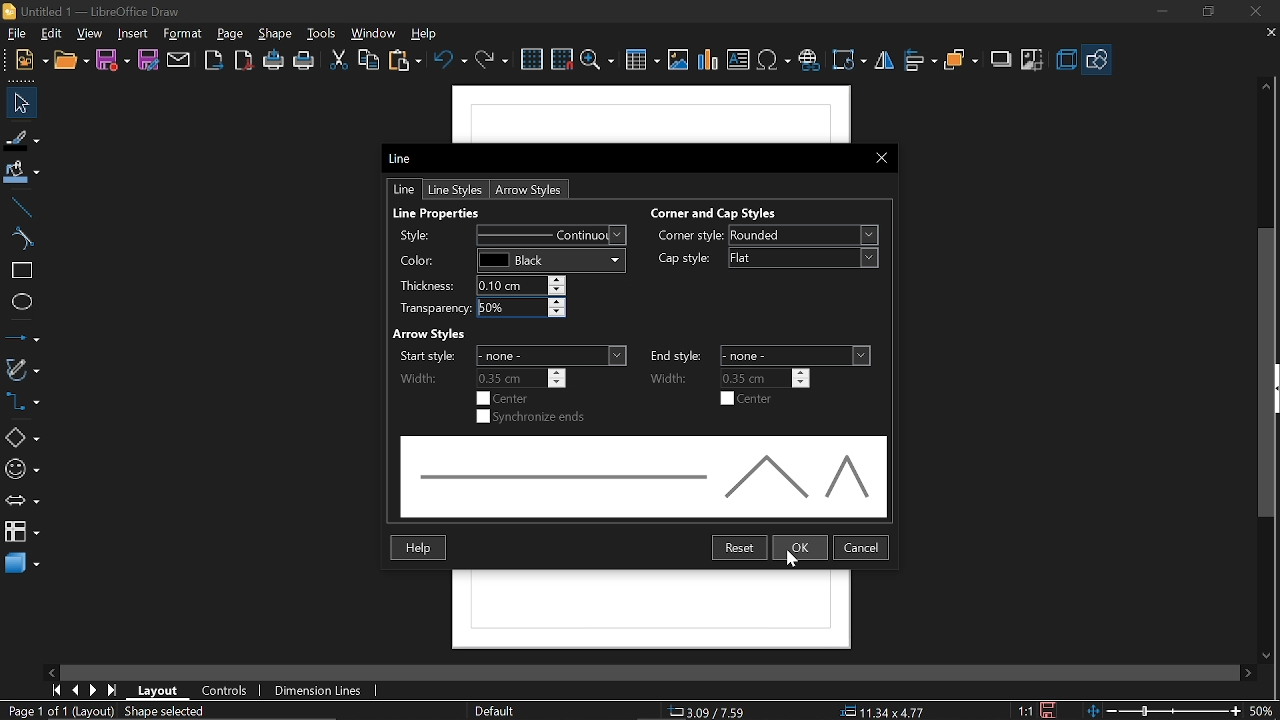  I want to click on Cancel, so click(862, 547).